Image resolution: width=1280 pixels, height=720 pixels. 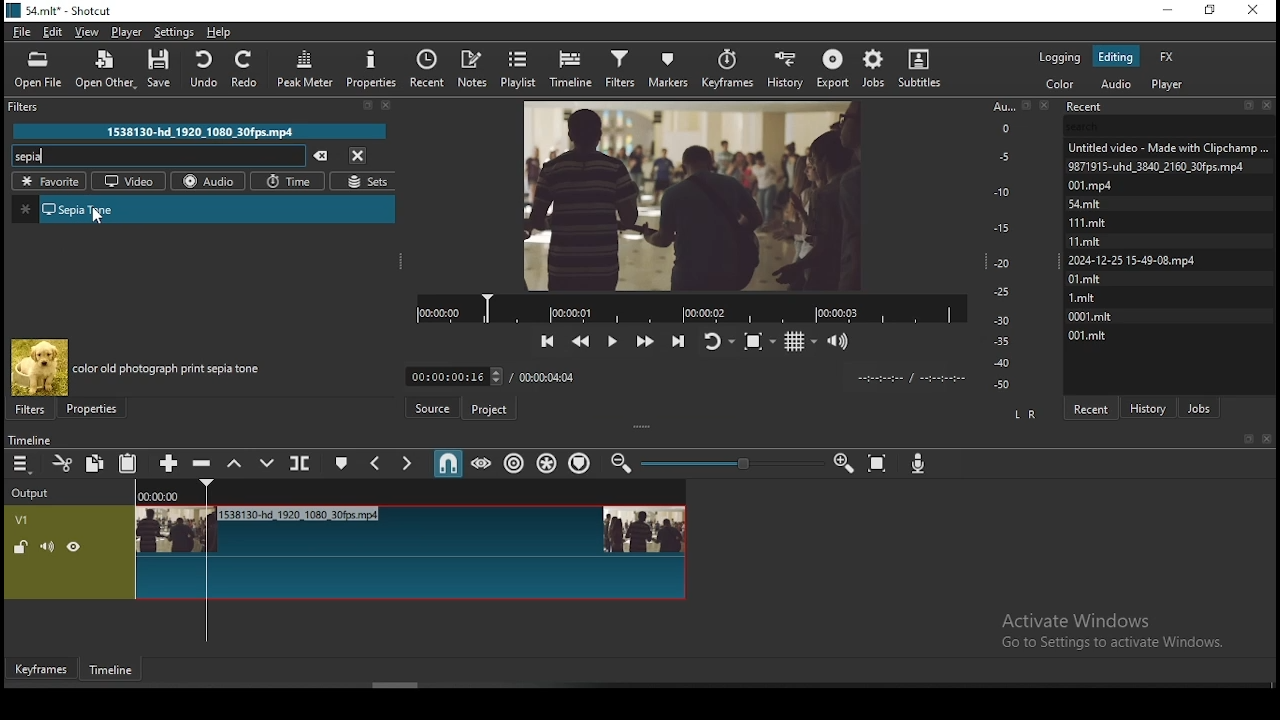 I want to click on ripple all tracks, so click(x=549, y=464).